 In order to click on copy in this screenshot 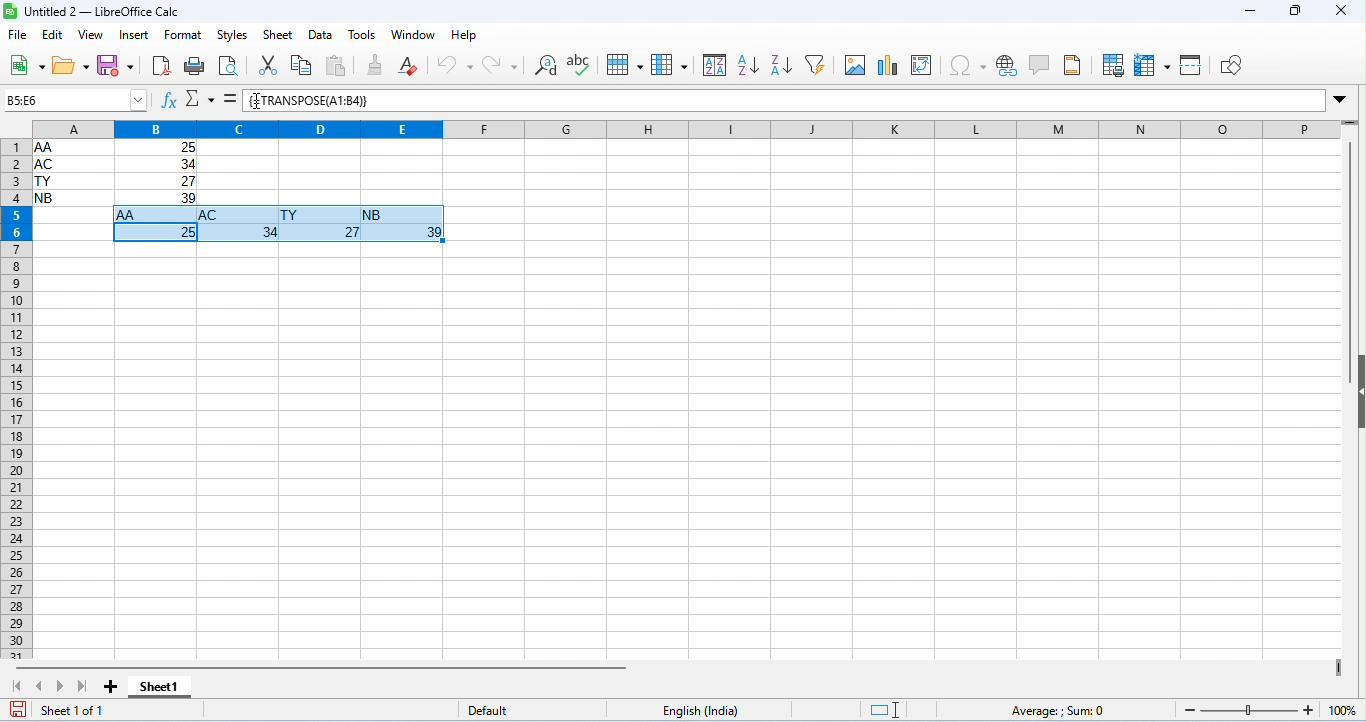, I will do `click(302, 65)`.